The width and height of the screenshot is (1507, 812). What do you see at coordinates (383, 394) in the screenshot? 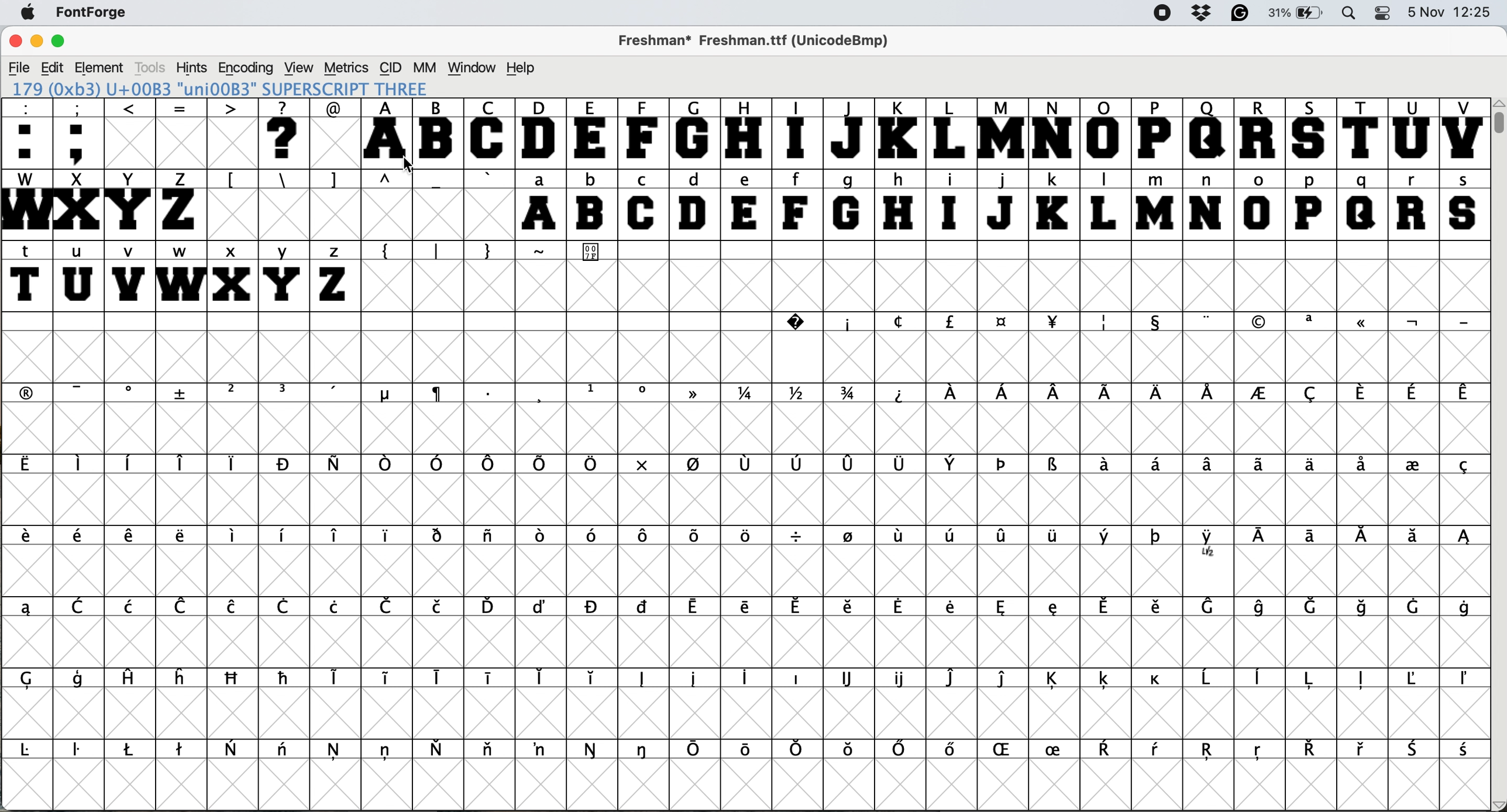
I see `symbol` at bounding box center [383, 394].